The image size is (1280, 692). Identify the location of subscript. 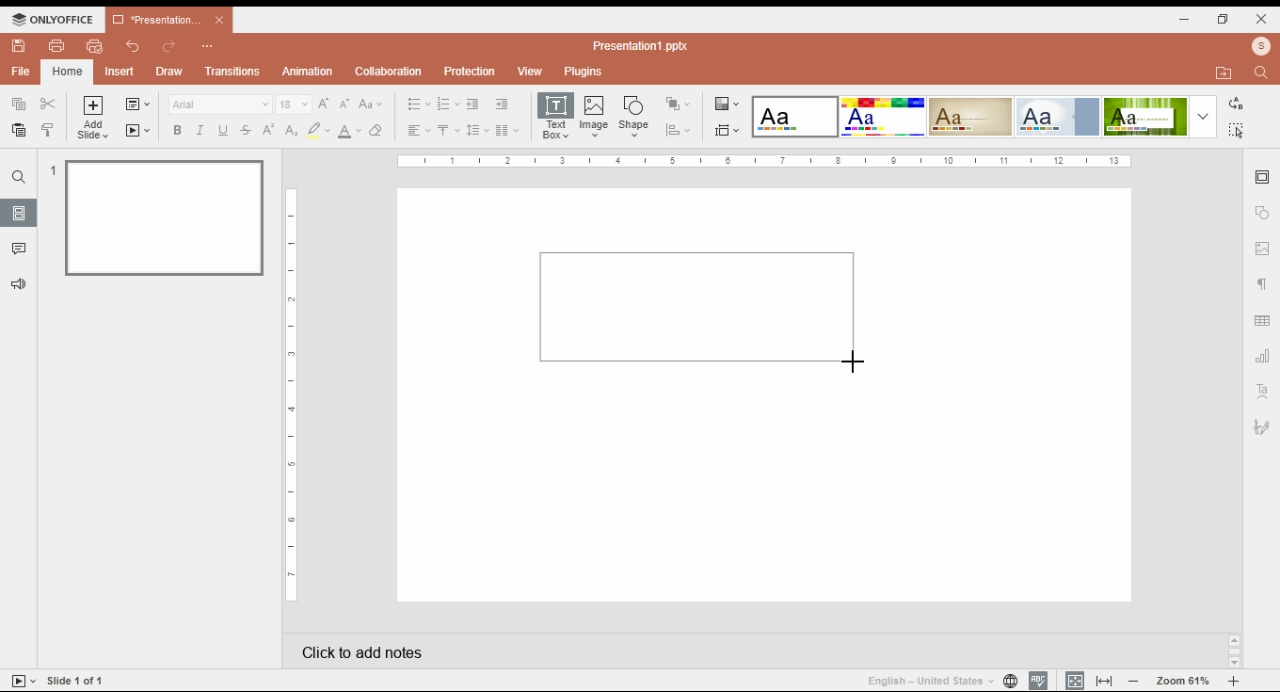
(291, 131).